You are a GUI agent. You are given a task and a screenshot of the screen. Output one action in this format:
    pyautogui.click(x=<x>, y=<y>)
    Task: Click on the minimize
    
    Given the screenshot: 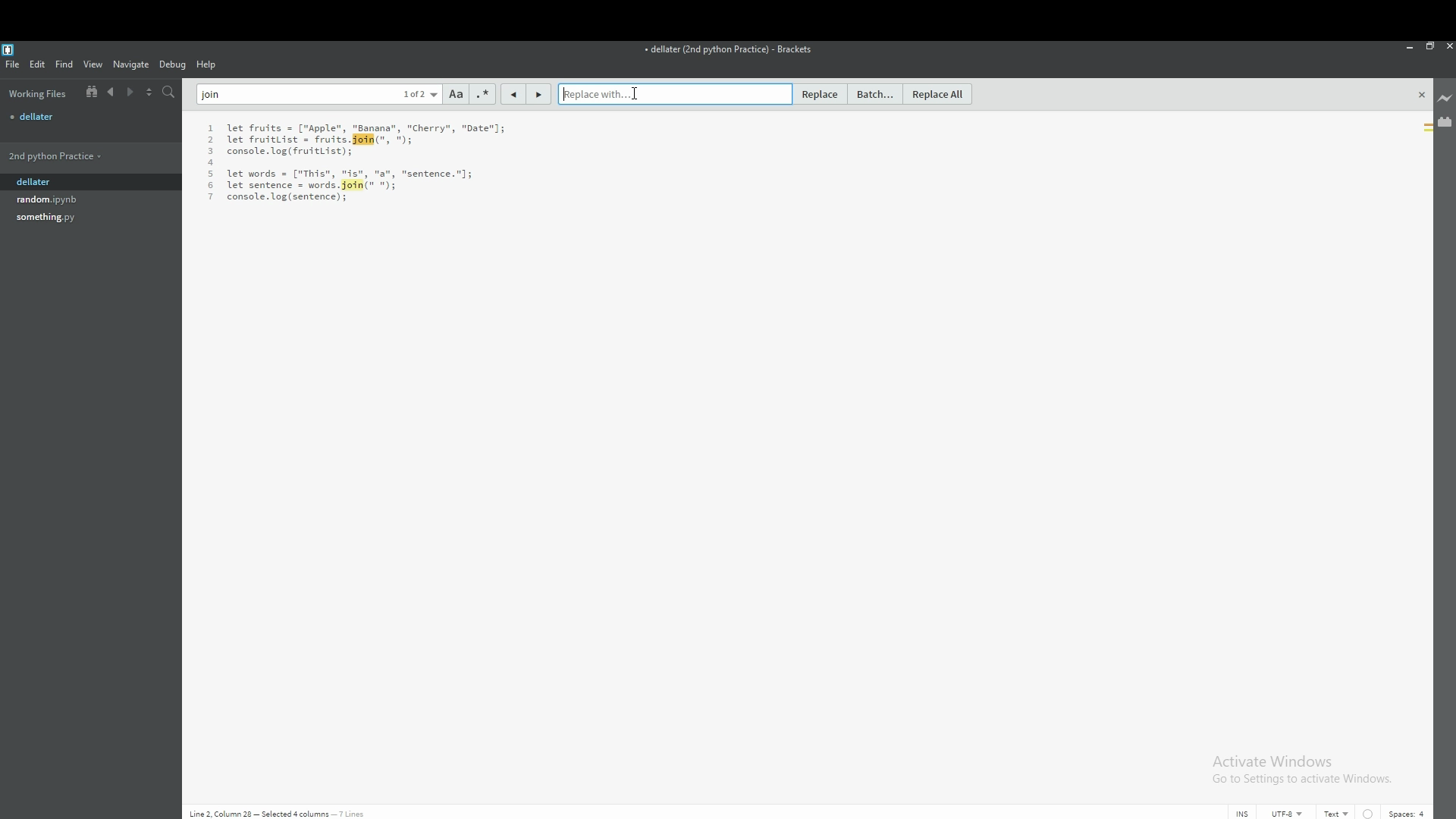 What is the action you would take?
    pyautogui.click(x=1410, y=46)
    